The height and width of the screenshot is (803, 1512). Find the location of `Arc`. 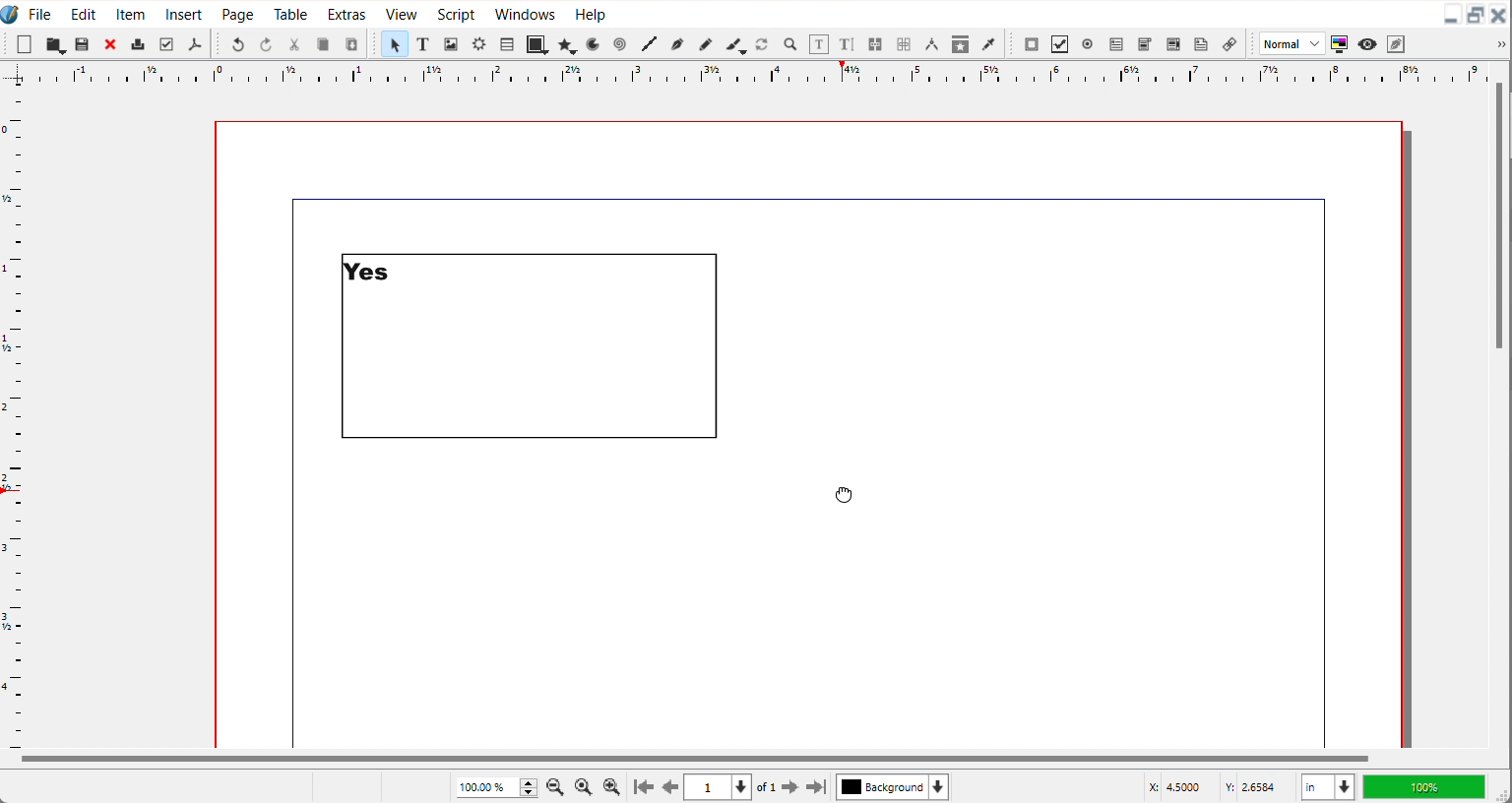

Arc is located at coordinates (595, 43).